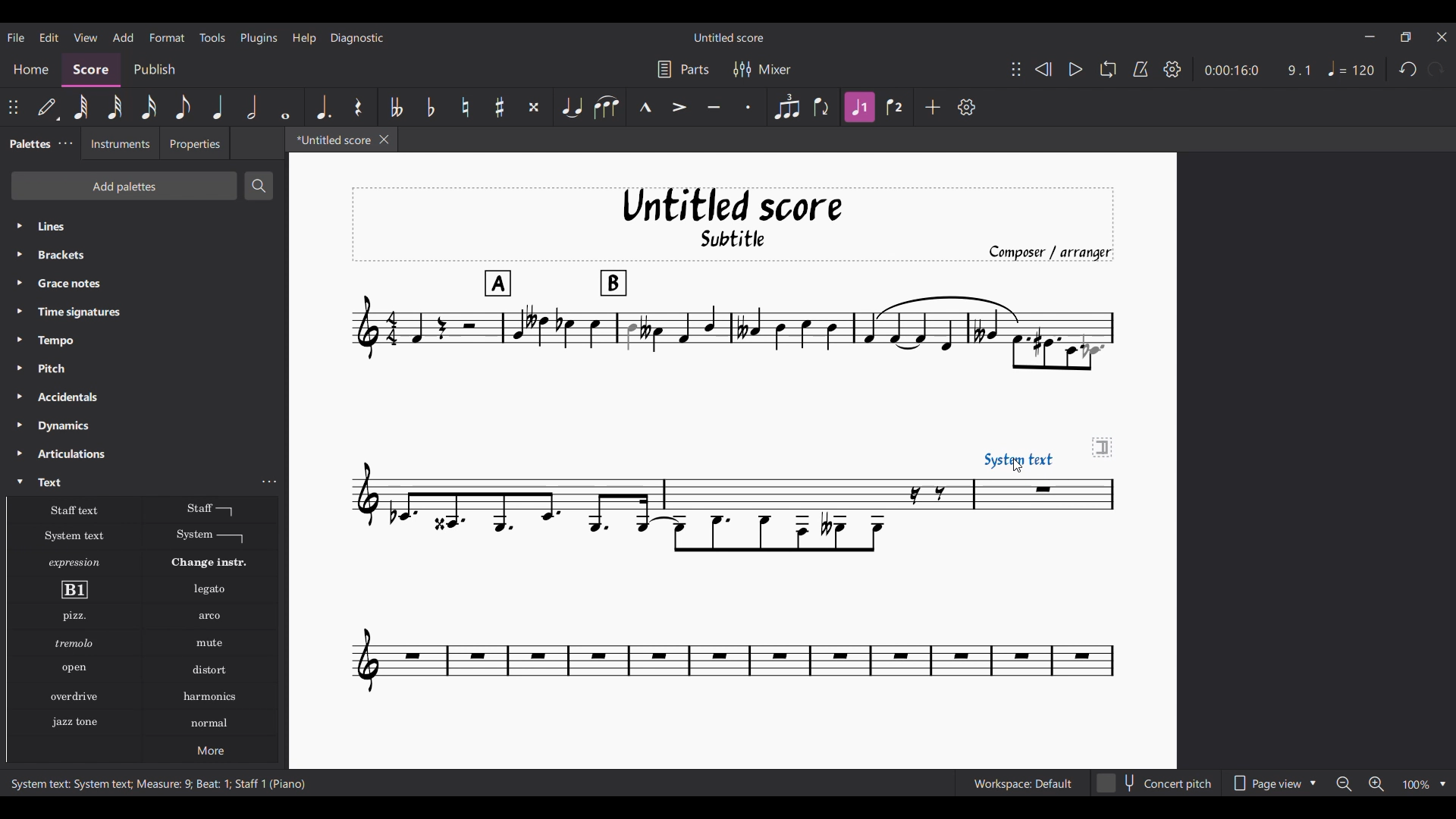 The width and height of the screenshot is (1456, 819). Describe the element at coordinates (124, 37) in the screenshot. I see `Add menu` at that location.